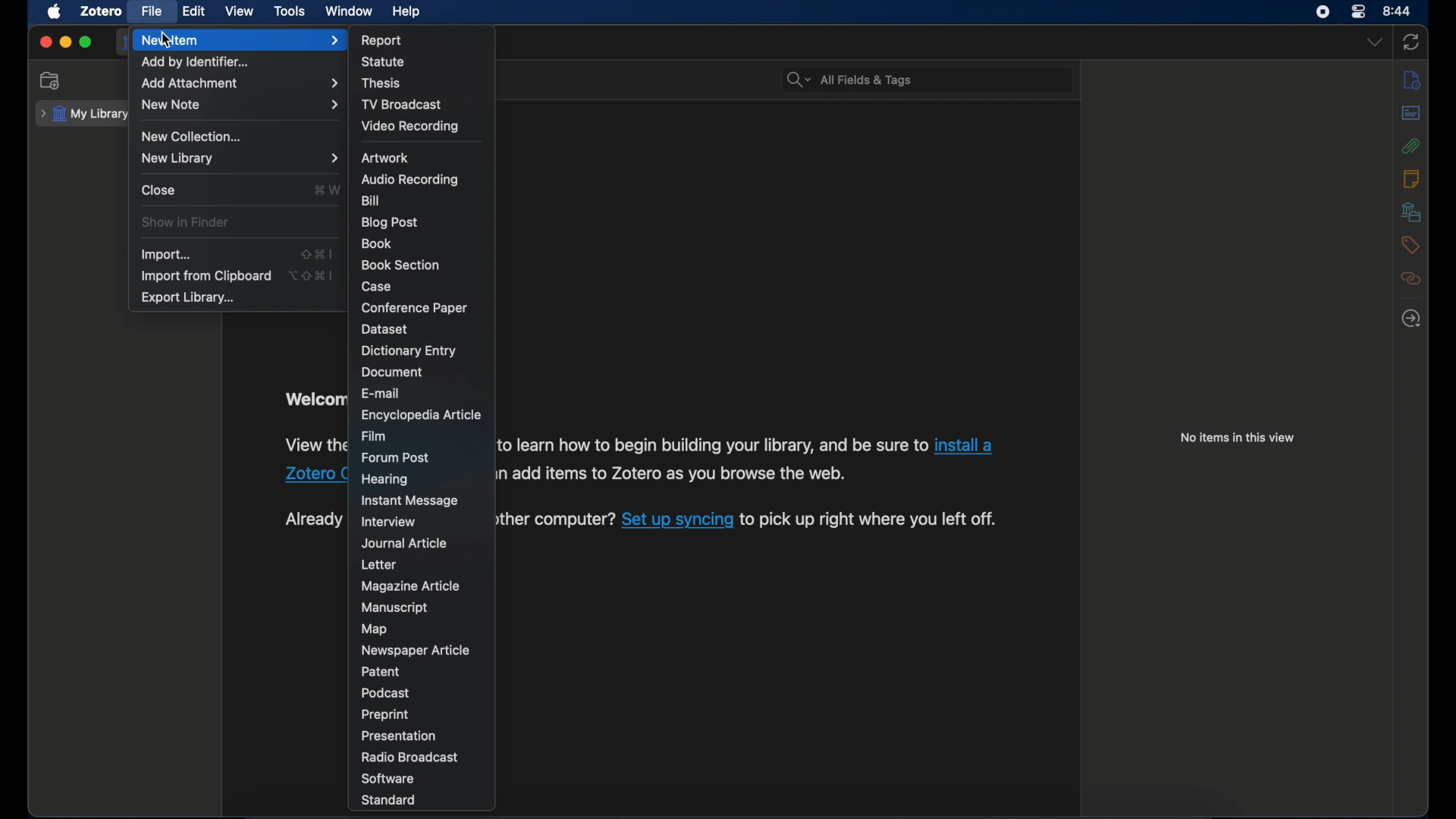  Describe the element at coordinates (315, 253) in the screenshot. I see `shortcut` at that location.